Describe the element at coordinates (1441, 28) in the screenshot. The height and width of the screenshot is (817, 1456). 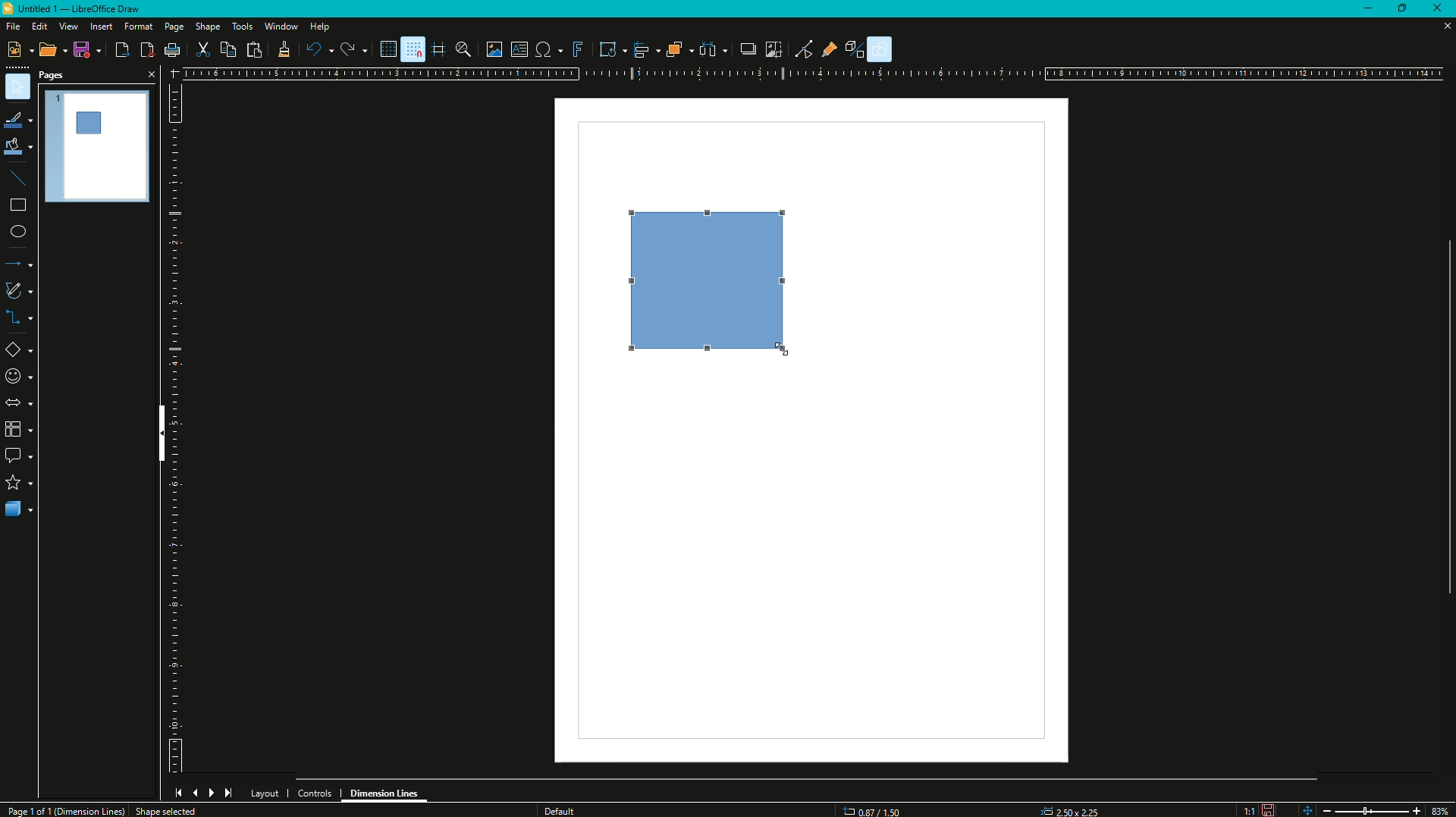
I see `Close Sheet` at that location.